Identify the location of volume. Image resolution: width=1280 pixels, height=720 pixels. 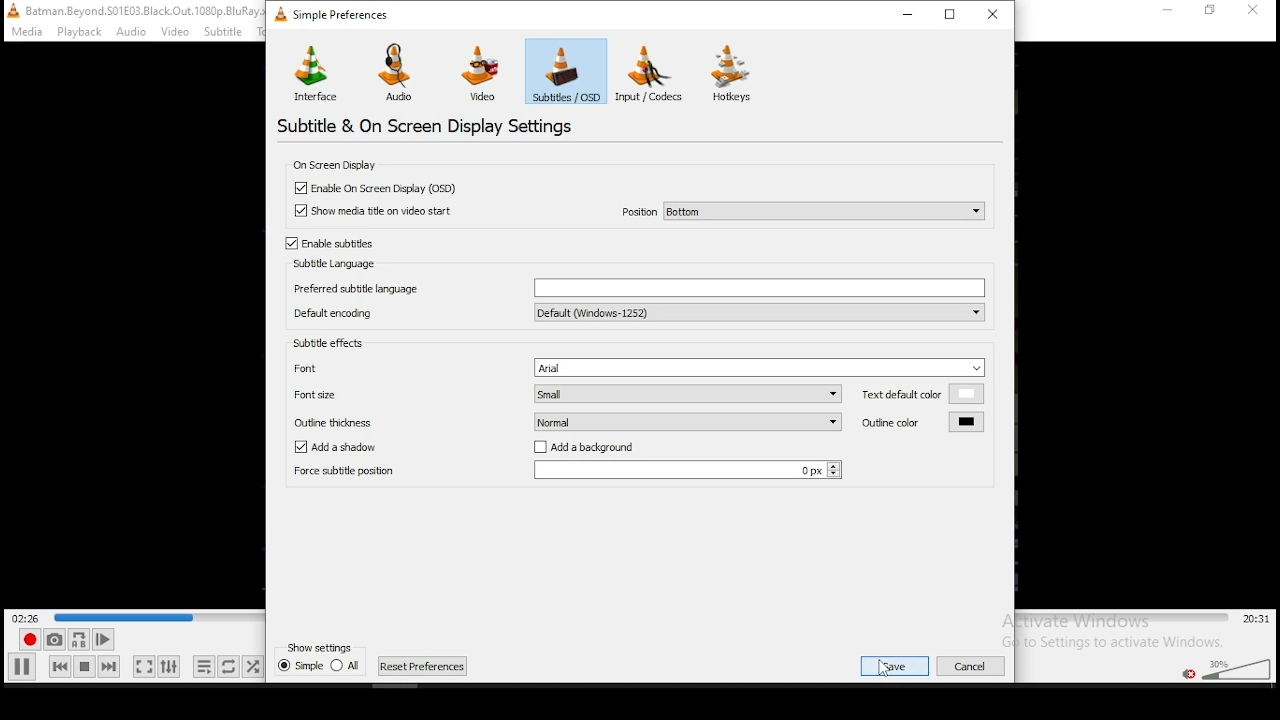
(1235, 667).